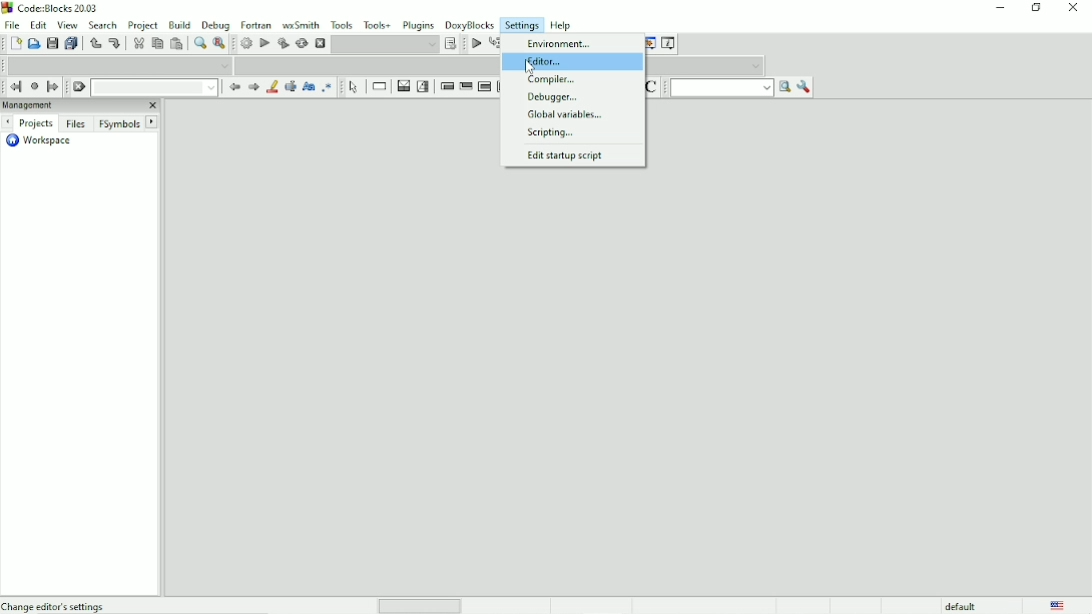 This screenshot has height=614, width=1092. I want to click on Show the select target dialog , so click(455, 44).